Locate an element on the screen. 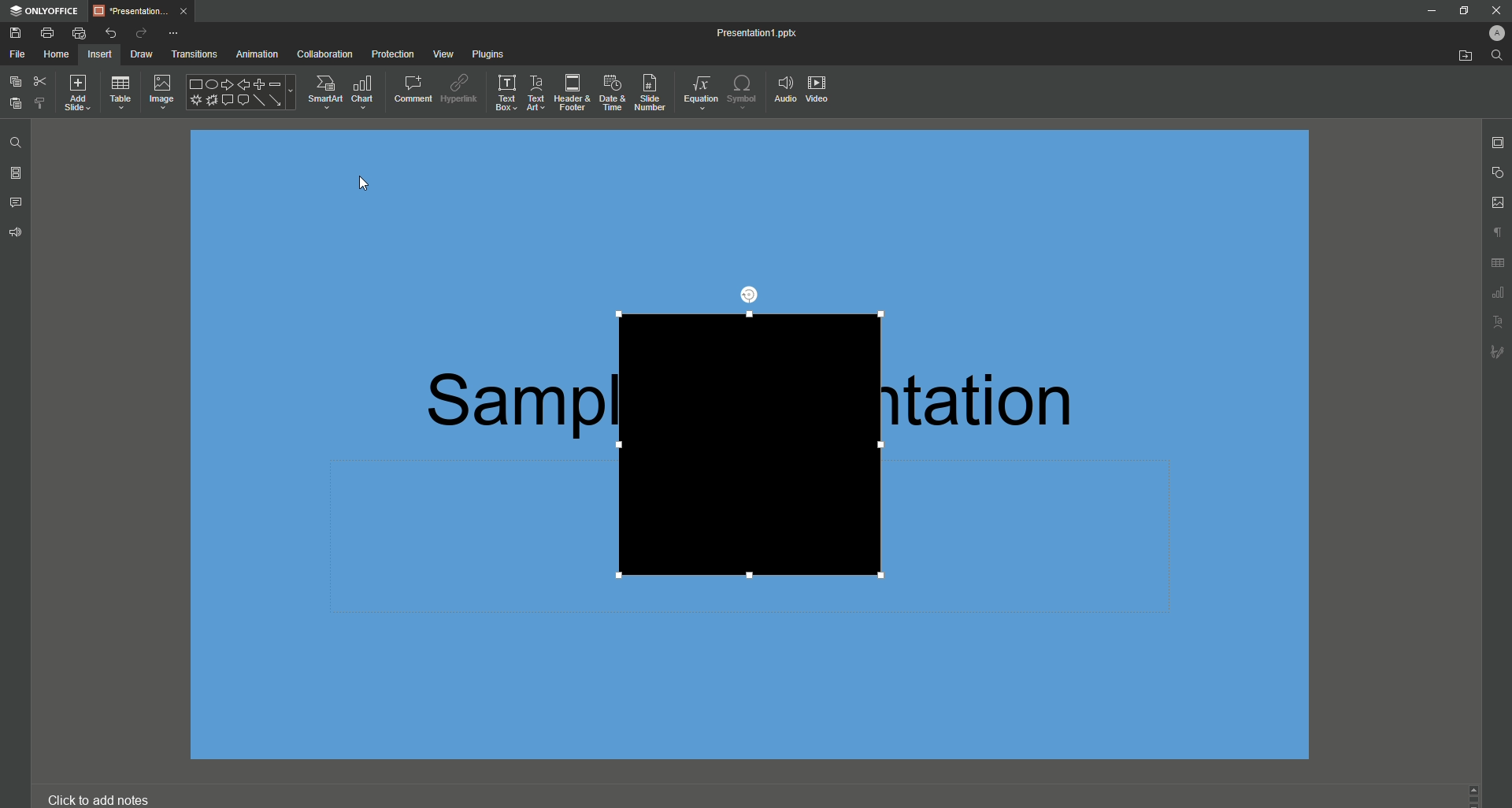 The width and height of the screenshot is (1512, 808). Feedback is located at coordinates (18, 232).